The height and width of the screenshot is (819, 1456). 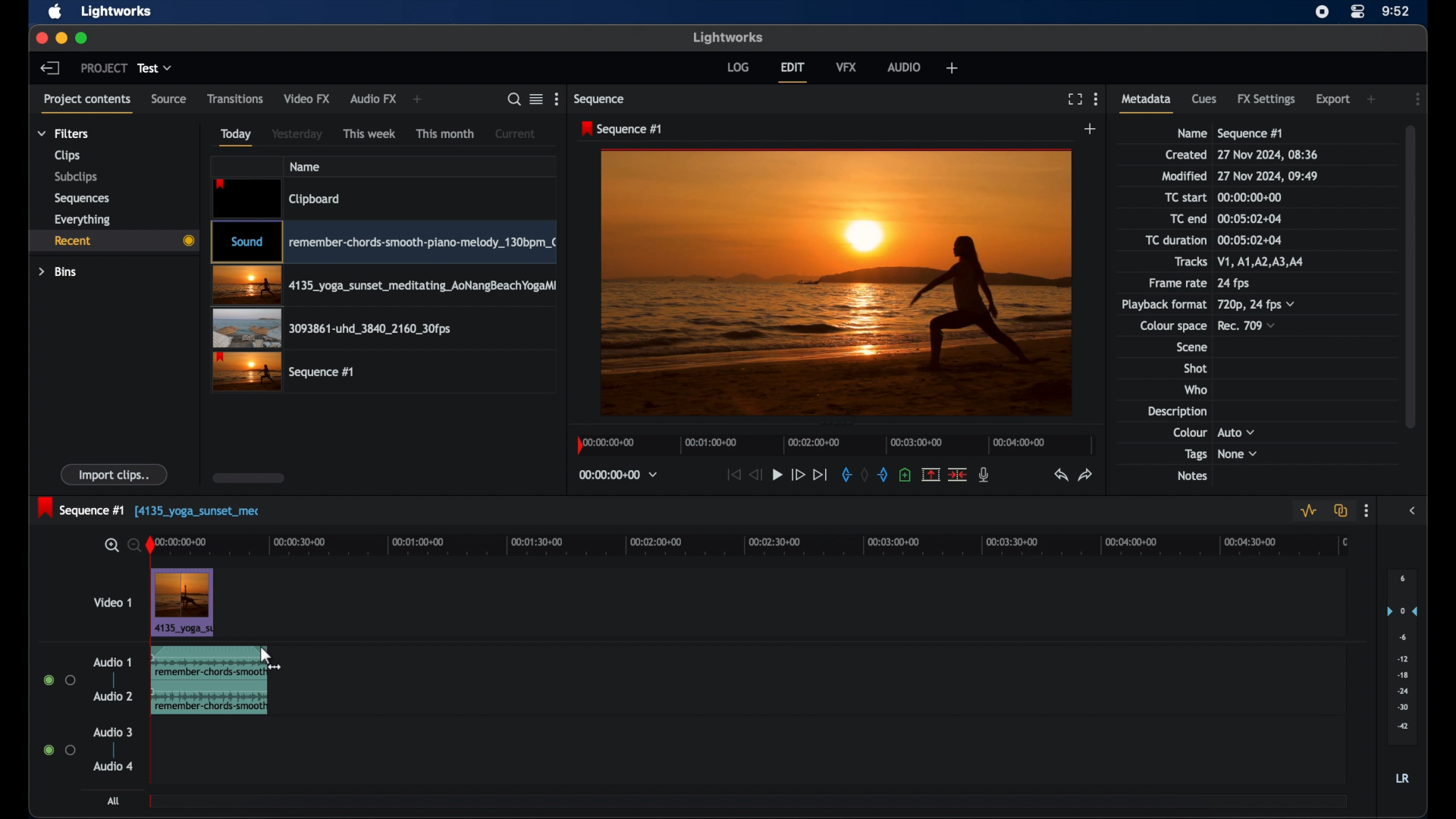 I want to click on remove the marked section, so click(x=931, y=473).